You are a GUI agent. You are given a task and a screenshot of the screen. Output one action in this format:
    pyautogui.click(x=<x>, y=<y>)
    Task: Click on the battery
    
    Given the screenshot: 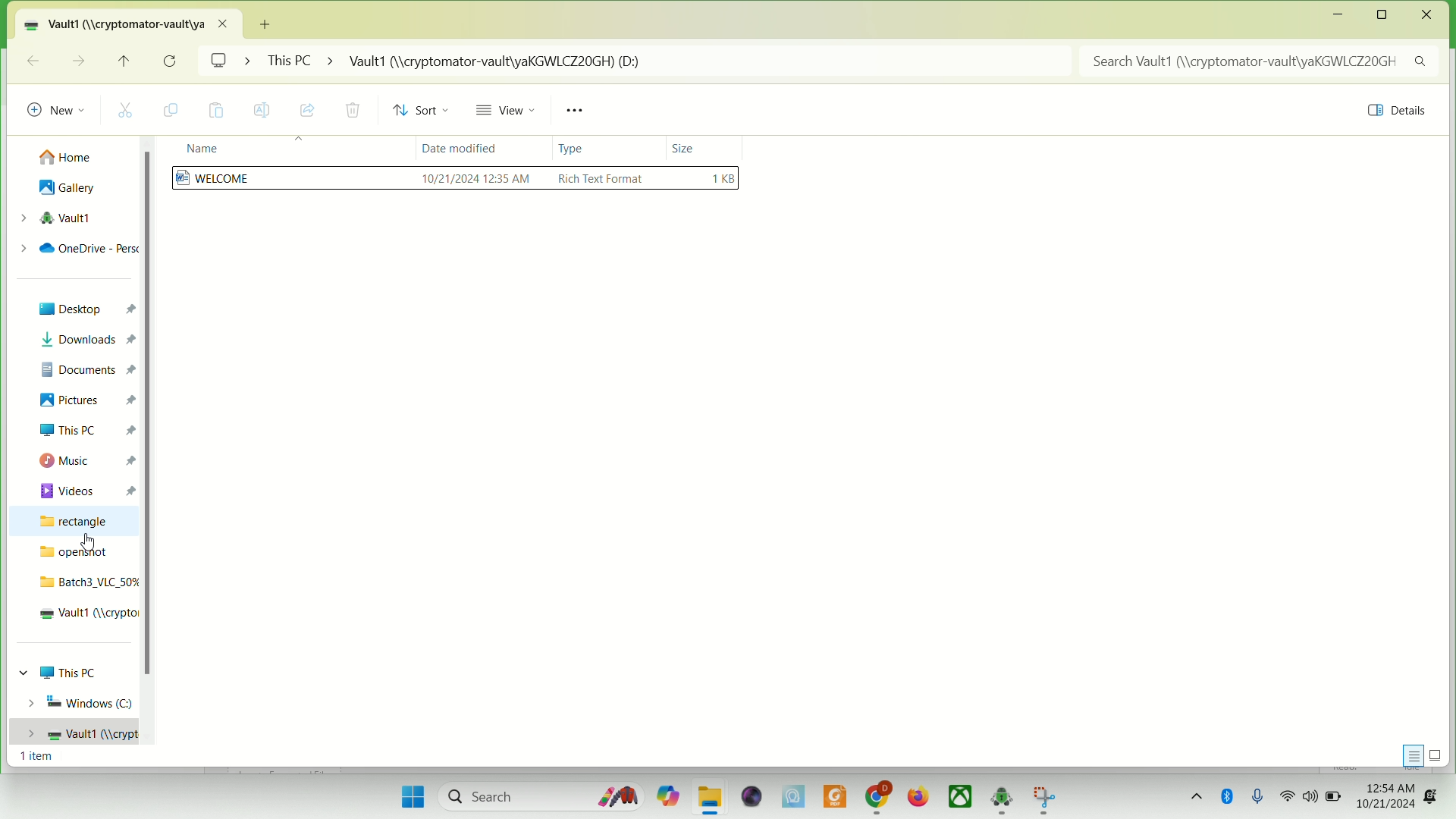 What is the action you would take?
    pyautogui.click(x=1334, y=797)
    